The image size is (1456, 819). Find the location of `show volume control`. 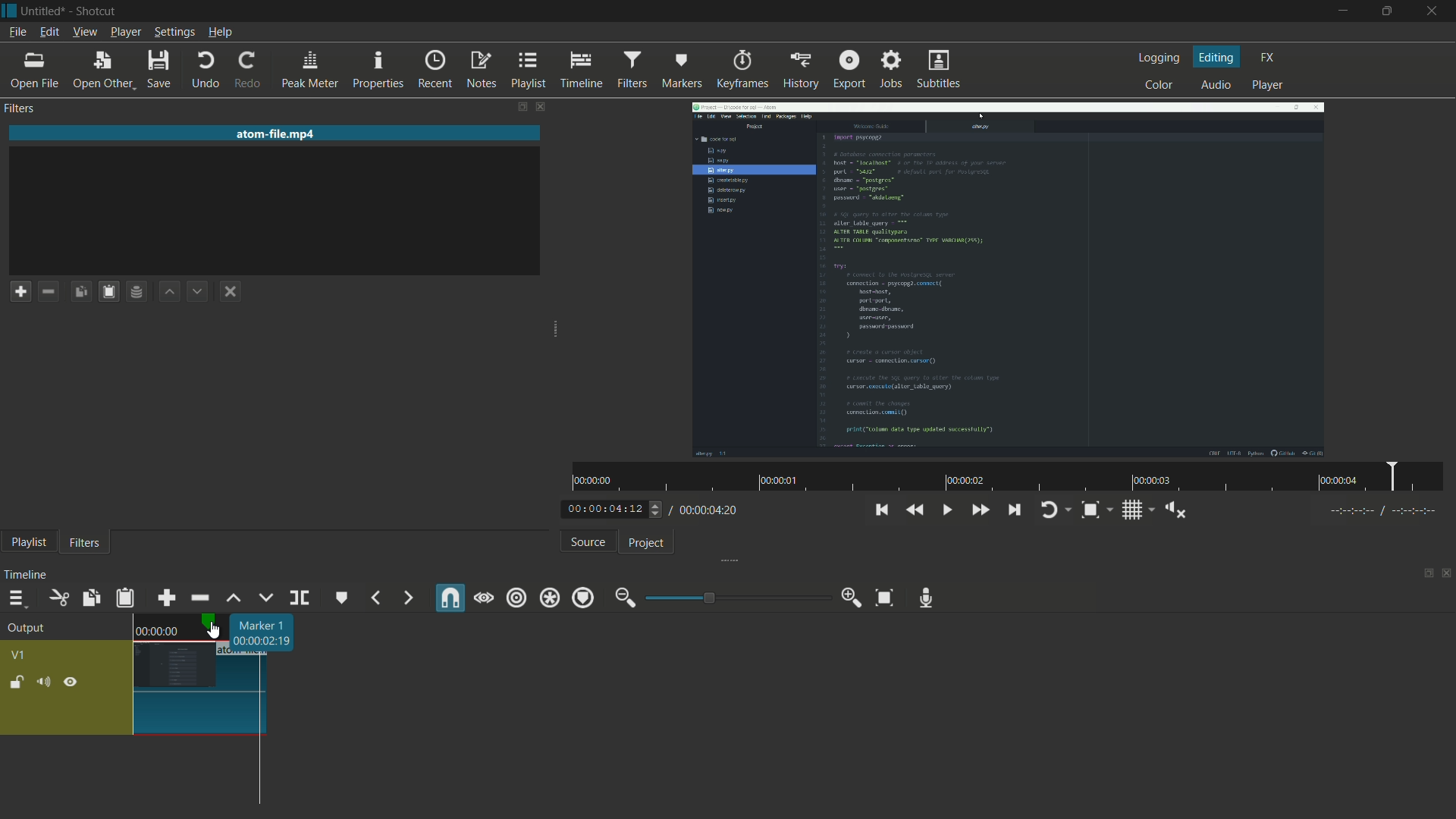

show volume control is located at coordinates (1176, 510).